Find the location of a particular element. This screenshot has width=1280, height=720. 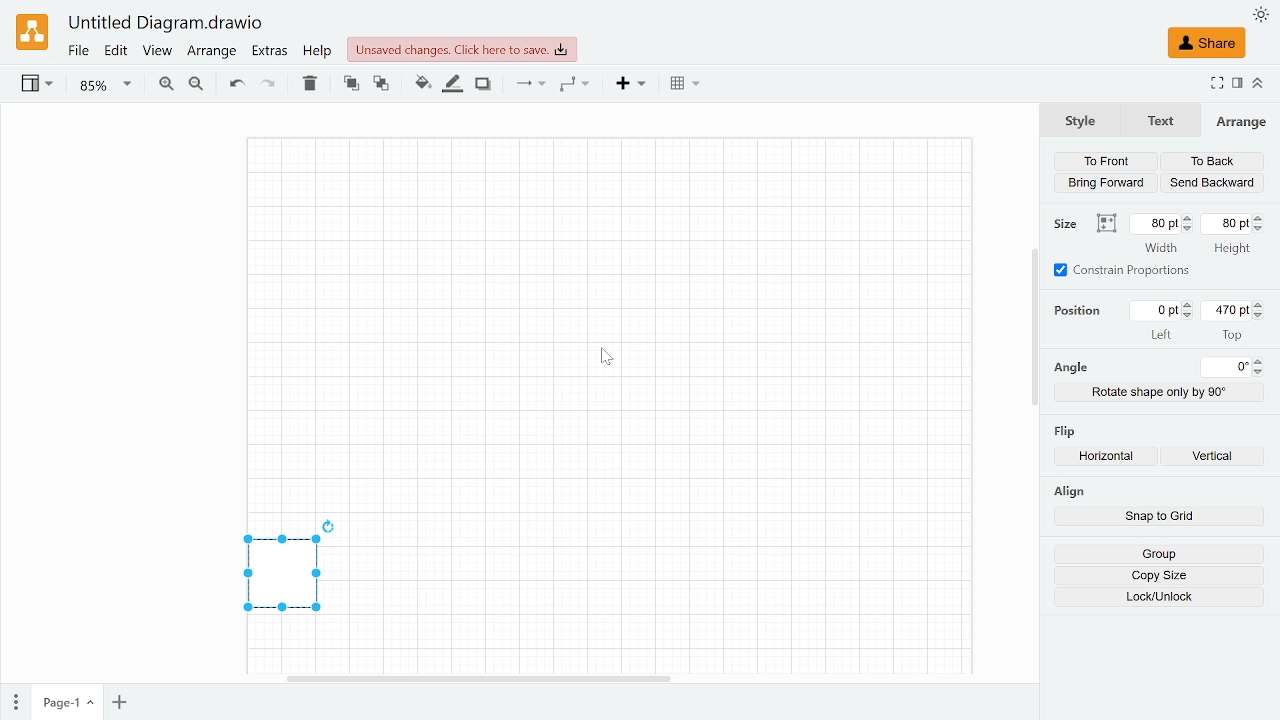

flip is located at coordinates (1067, 429).